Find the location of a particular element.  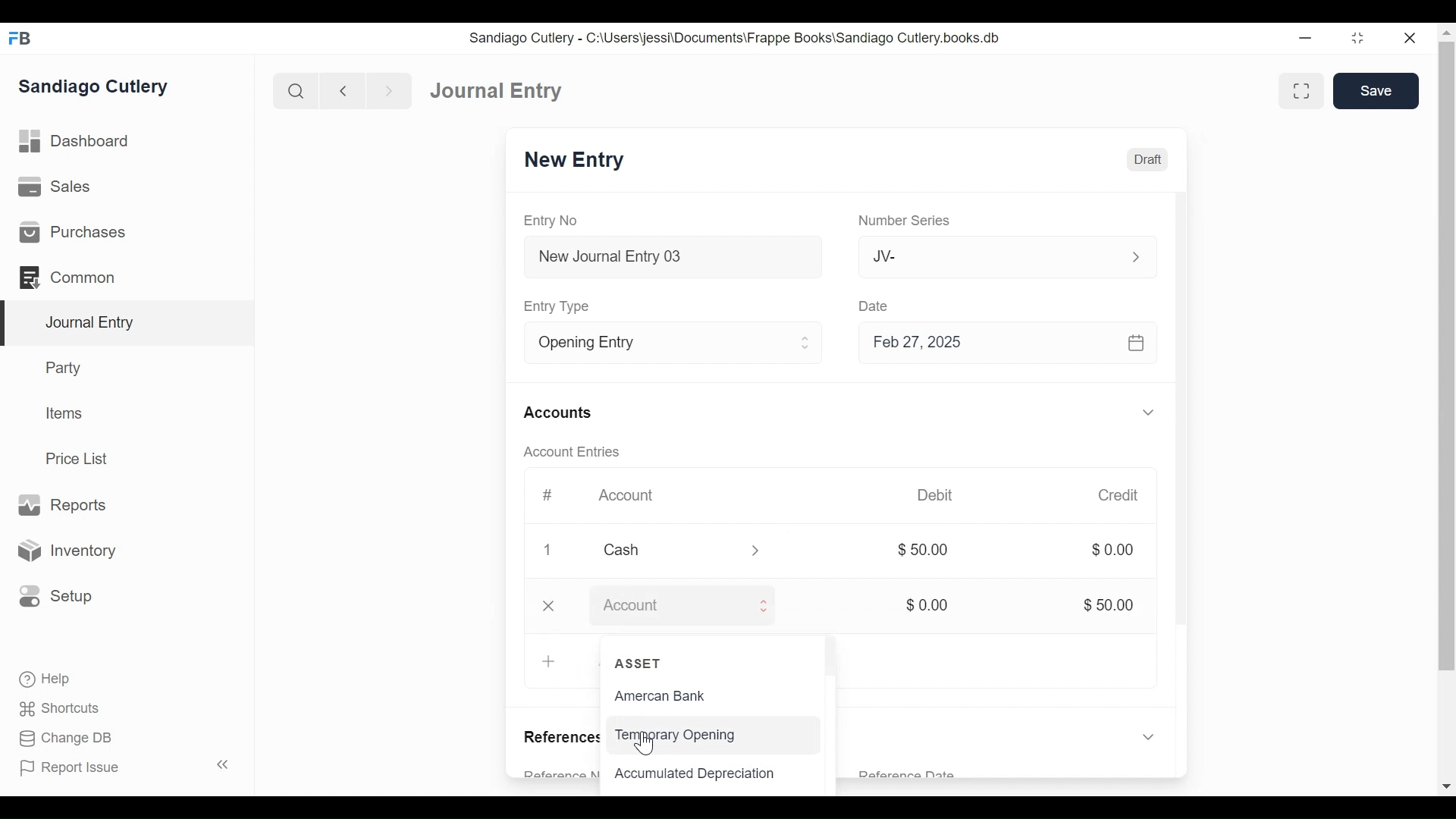

Sales is located at coordinates (55, 186).